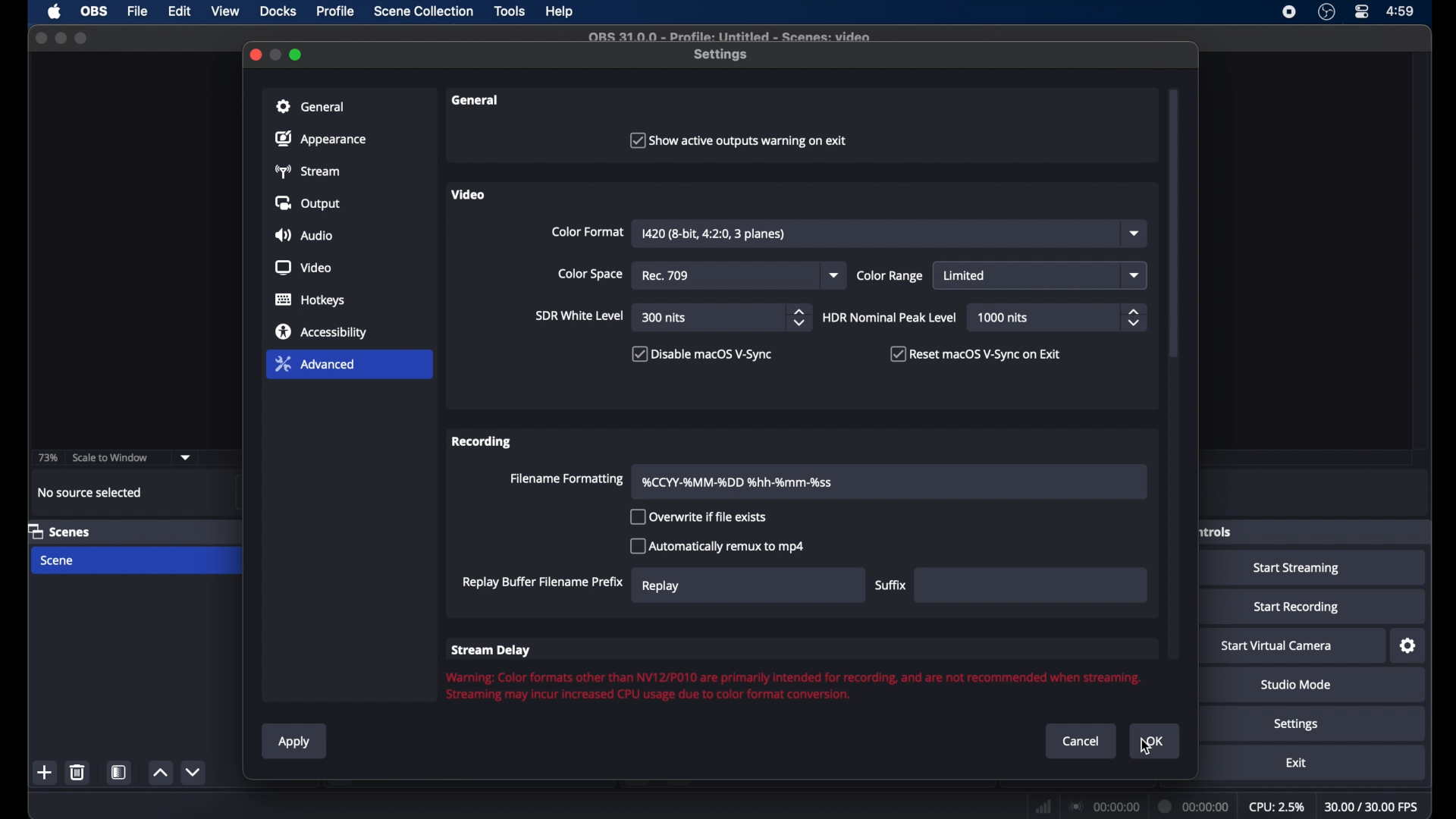  I want to click on video, so click(469, 194).